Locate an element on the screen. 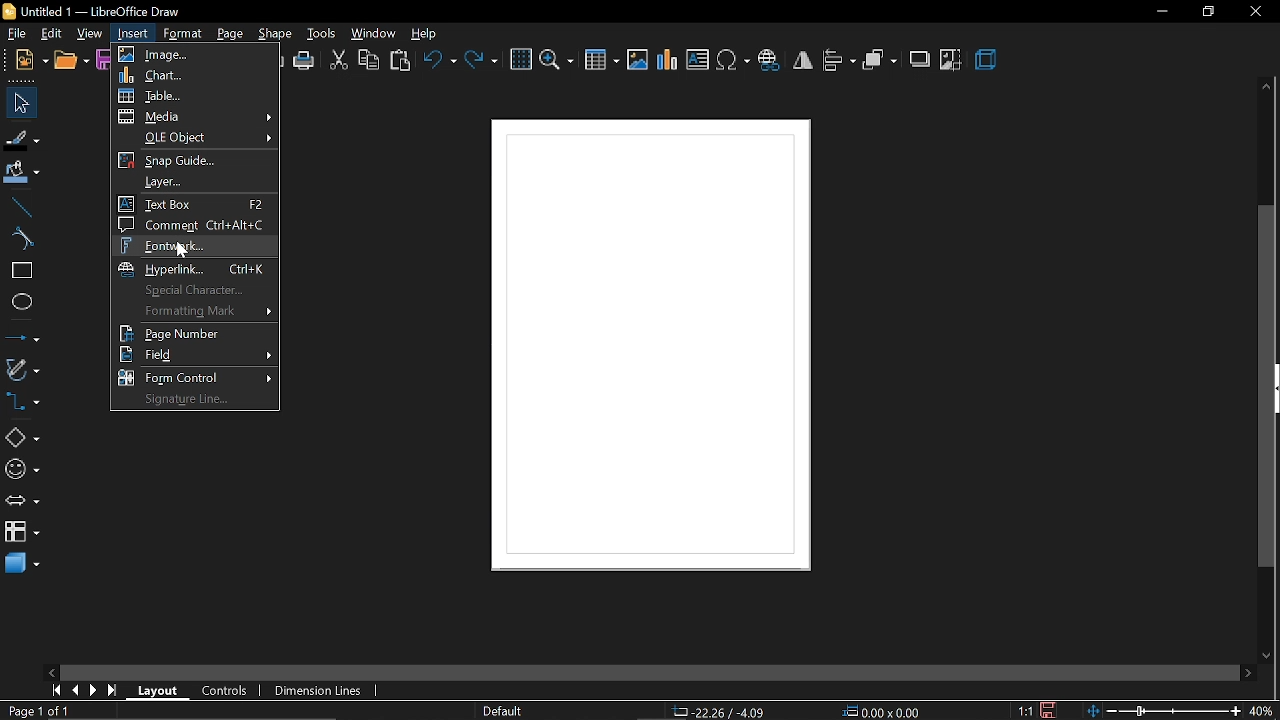  open is located at coordinates (71, 60).